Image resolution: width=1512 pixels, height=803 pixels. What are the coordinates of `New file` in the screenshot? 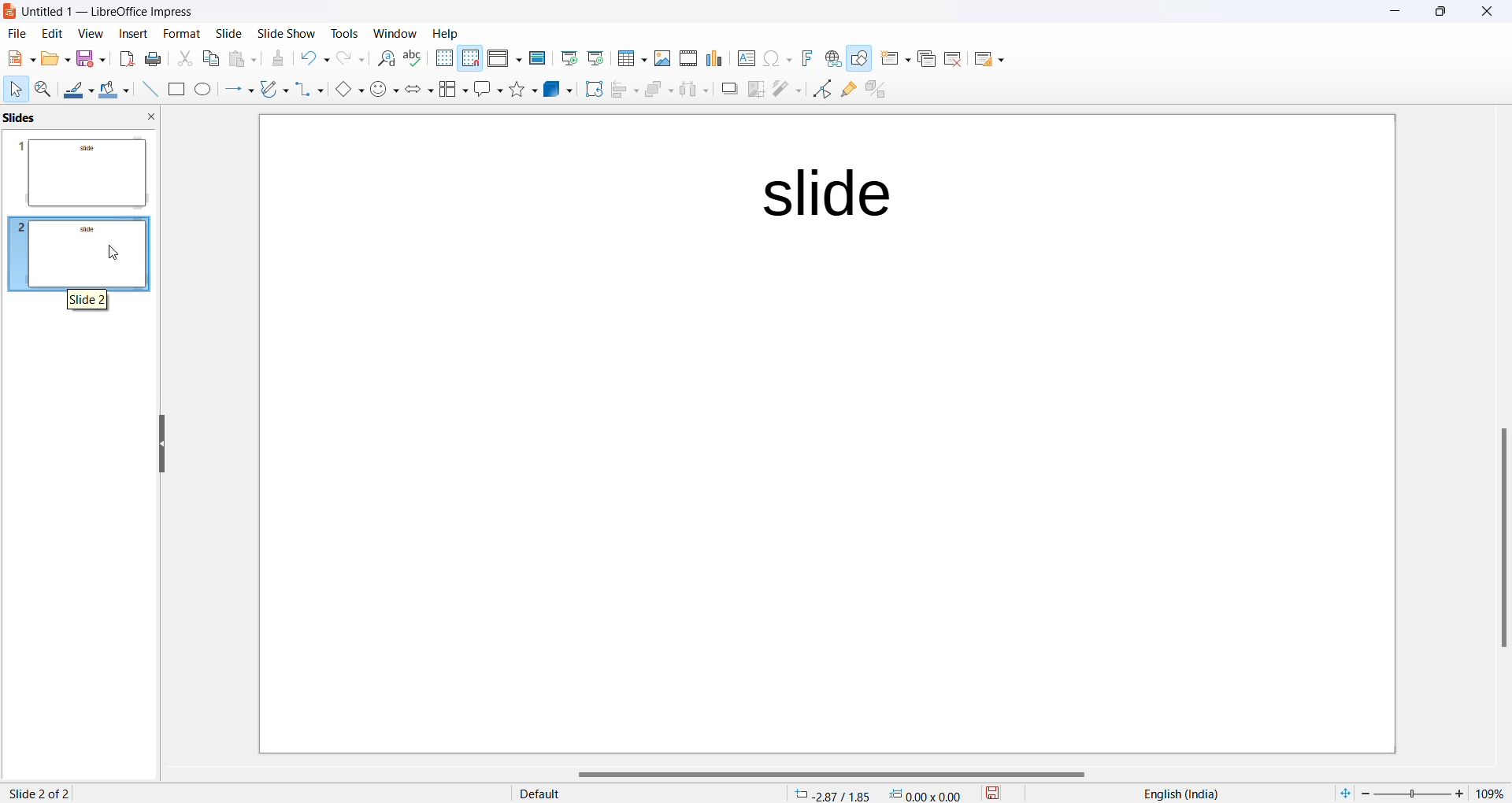 It's located at (54, 58).